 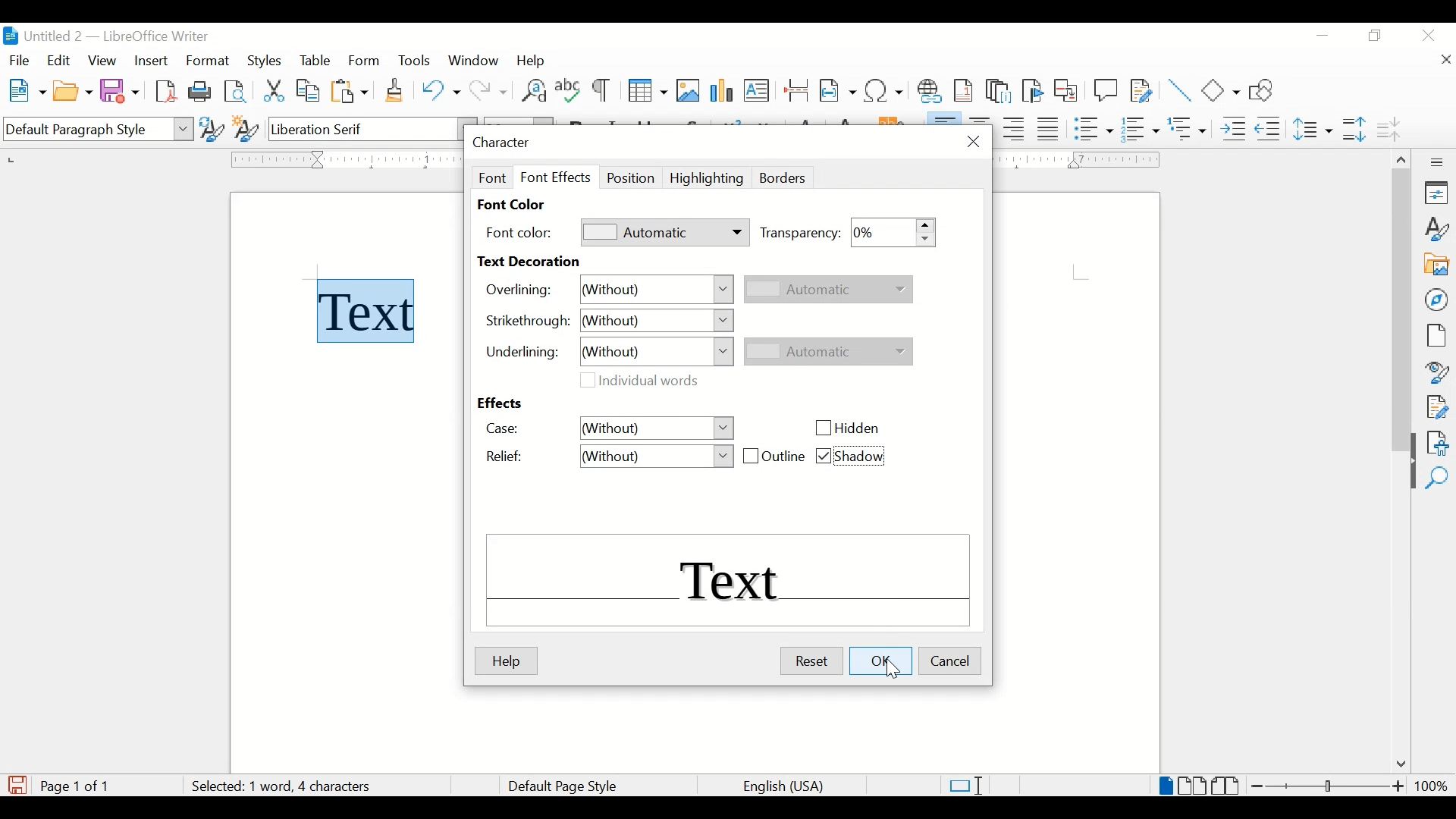 What do you see at coordinates (1436, 335) in the screenshot?
I see `page` at bounding box center [1436, 335].